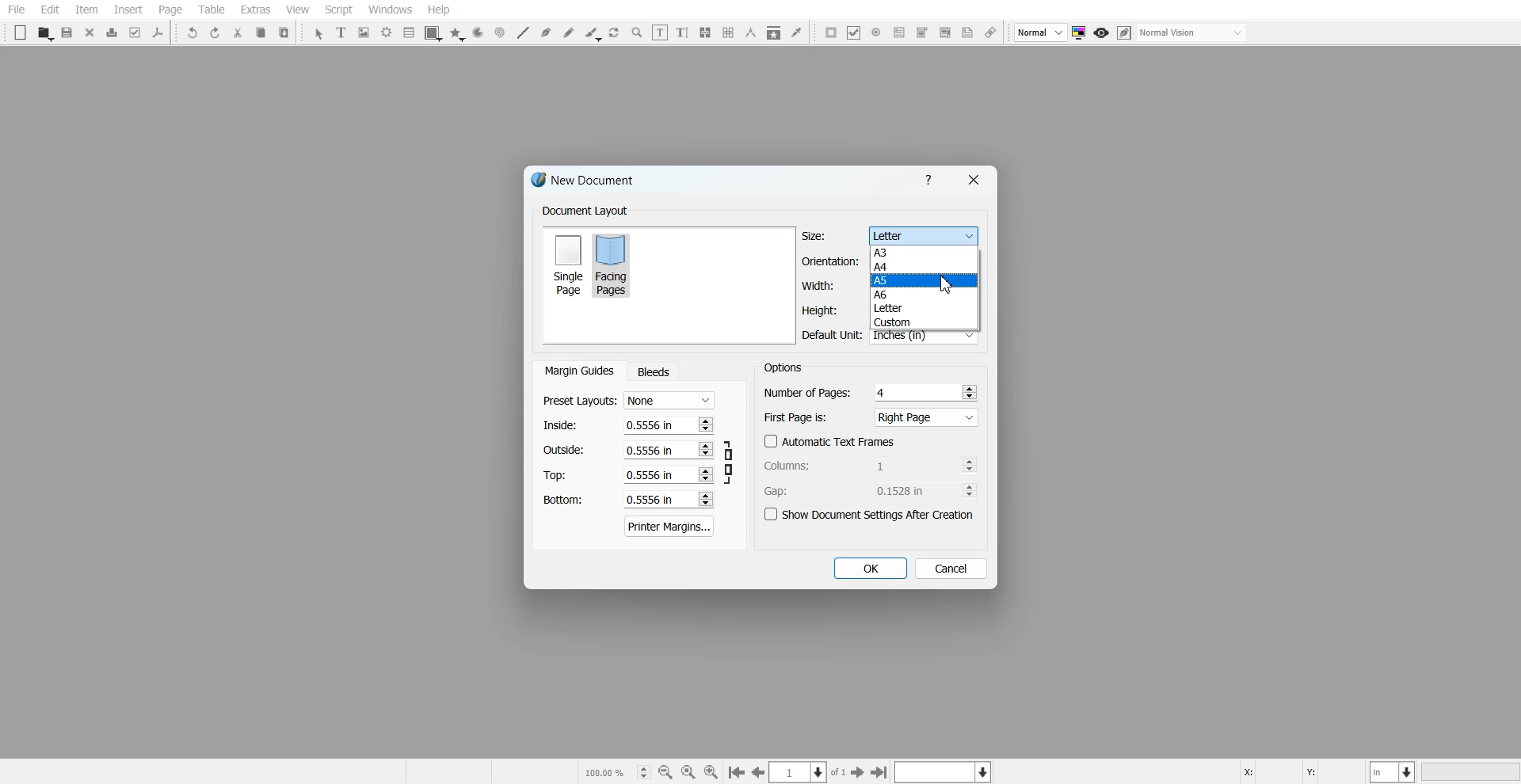 This screenshot has width=1521, height=784. Describe the element at coordinates (255, 10) in the screenshot. I see `Extras` at that location.